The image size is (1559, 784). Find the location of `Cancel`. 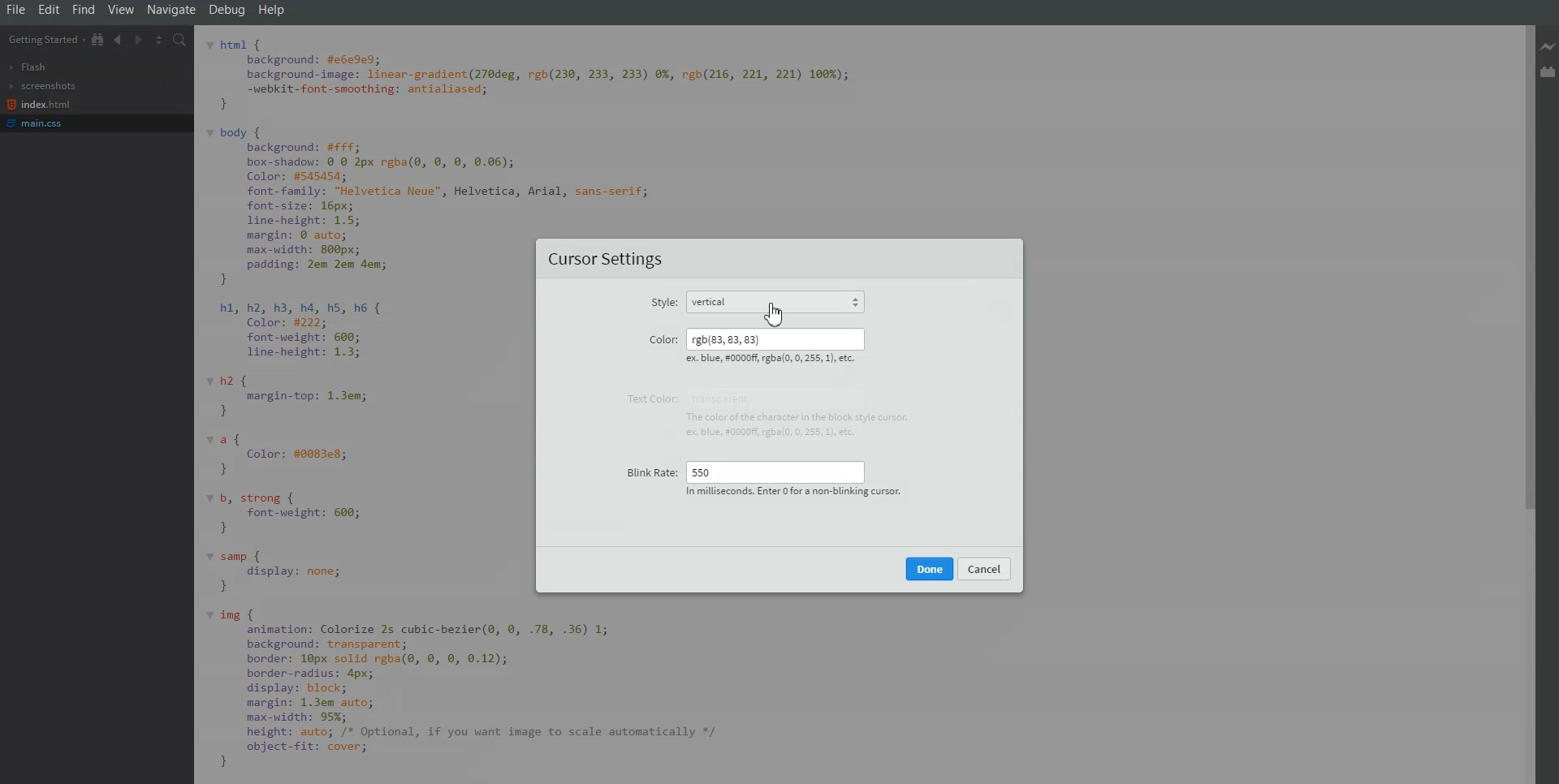

Cancel is located at coordinates (985, 568).